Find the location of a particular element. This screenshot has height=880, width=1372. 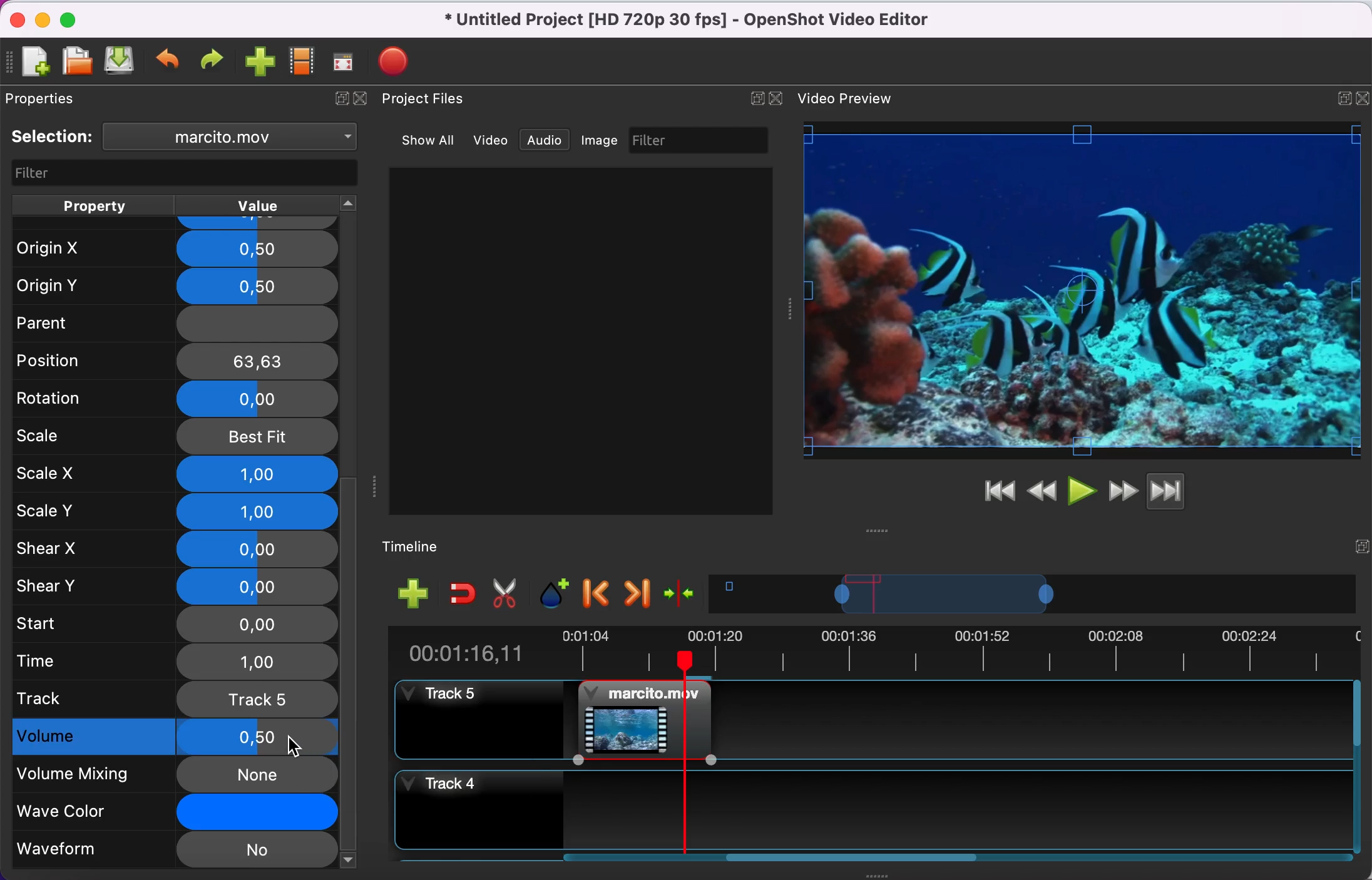

time 1 is located at coordinates (176, 661).